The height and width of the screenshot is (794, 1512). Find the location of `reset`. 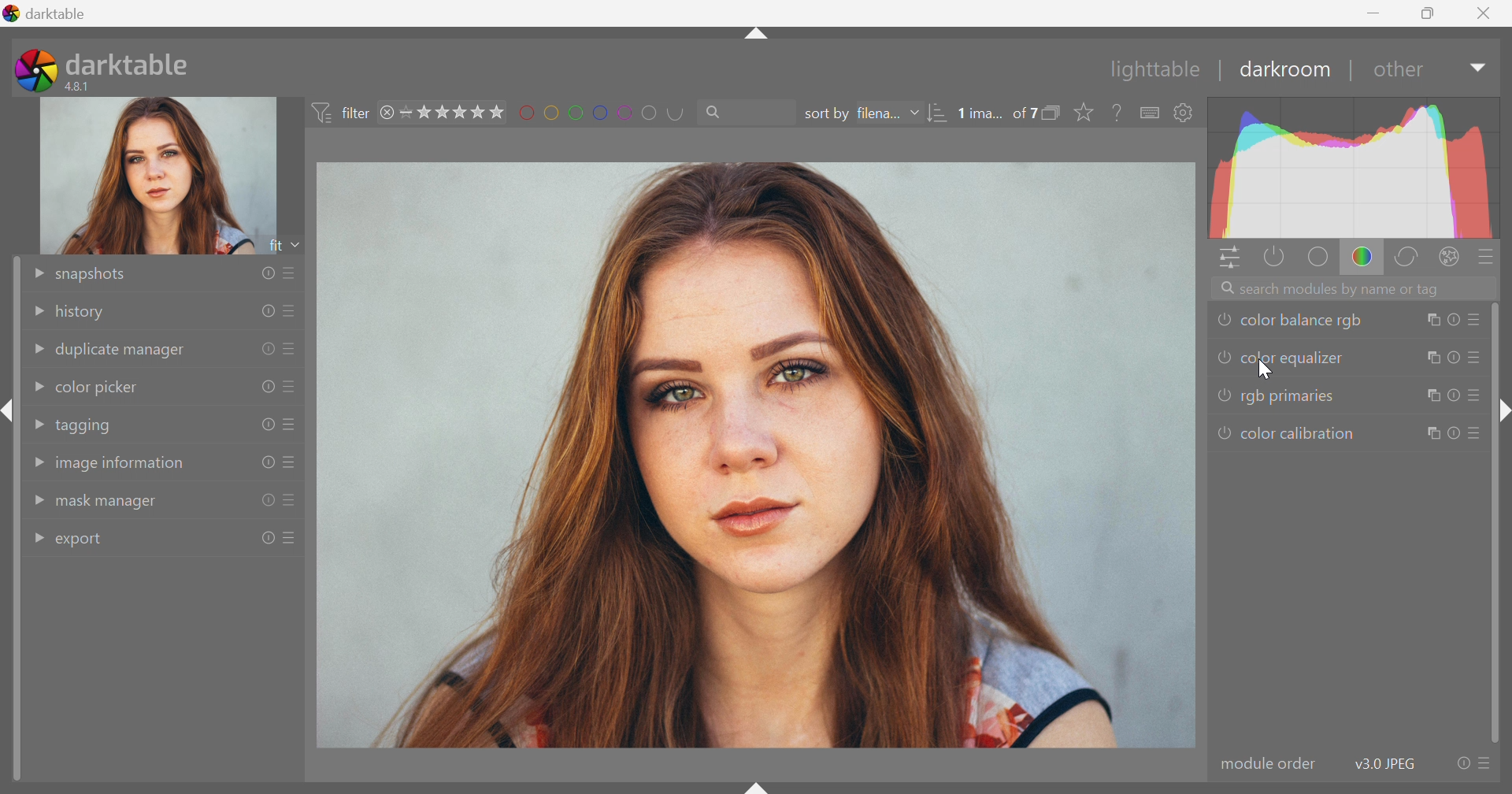

reset is located at coordinates (262, 501).